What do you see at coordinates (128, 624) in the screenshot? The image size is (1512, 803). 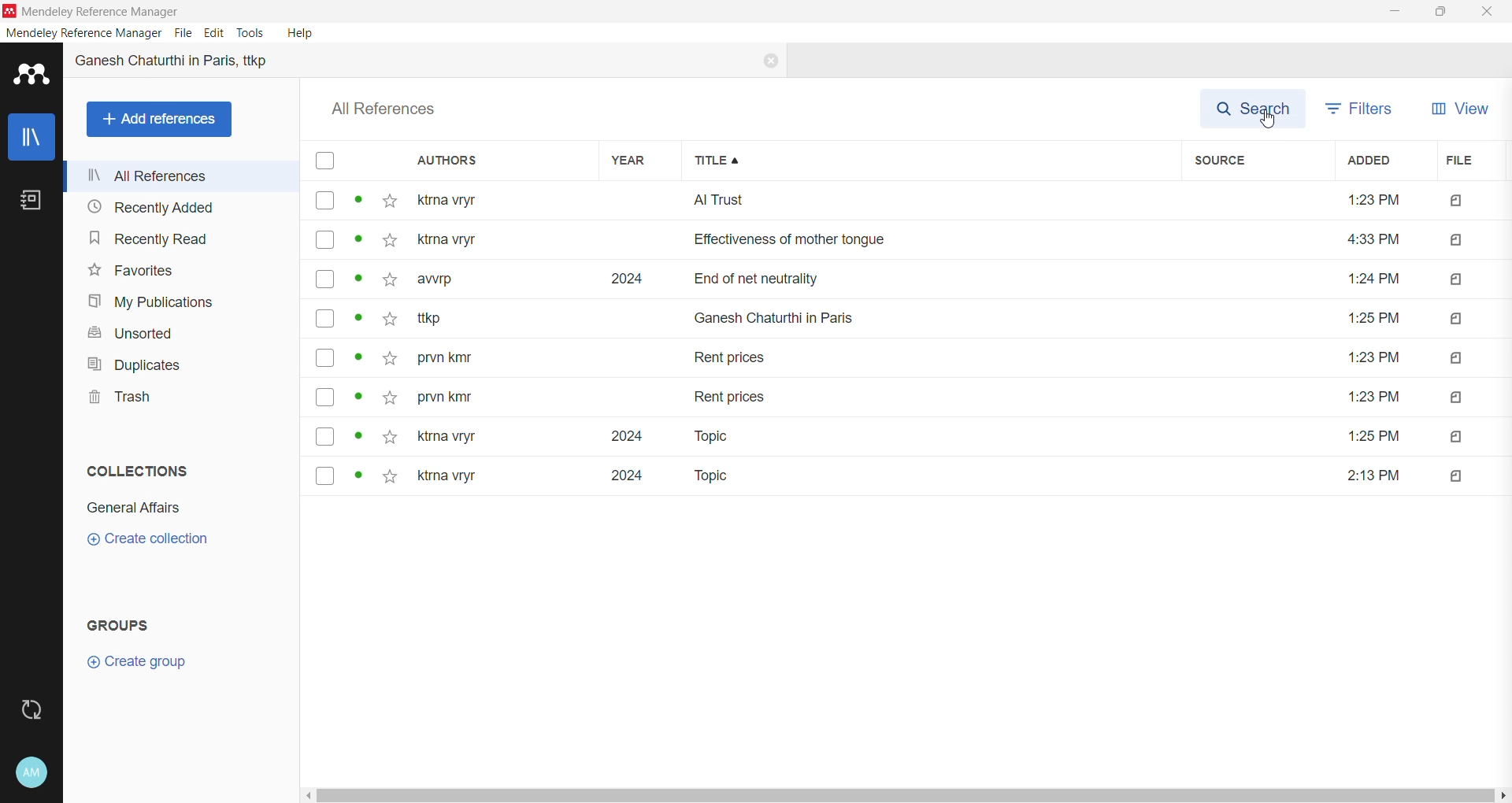 I see `Groups` at bounding box center [128, 624].